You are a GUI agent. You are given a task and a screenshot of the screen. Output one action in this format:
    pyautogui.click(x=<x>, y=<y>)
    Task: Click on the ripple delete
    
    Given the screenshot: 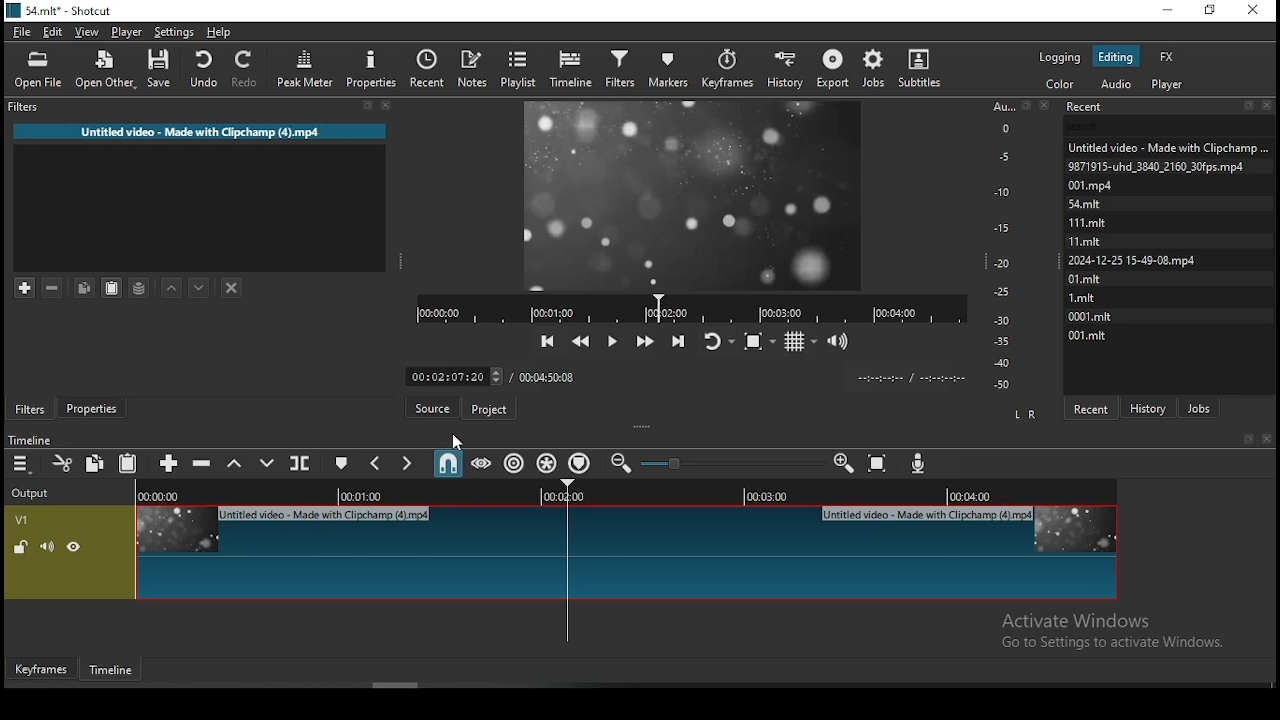 What is the action you would take?
    pyautogui.click(x=202, y=465)
    